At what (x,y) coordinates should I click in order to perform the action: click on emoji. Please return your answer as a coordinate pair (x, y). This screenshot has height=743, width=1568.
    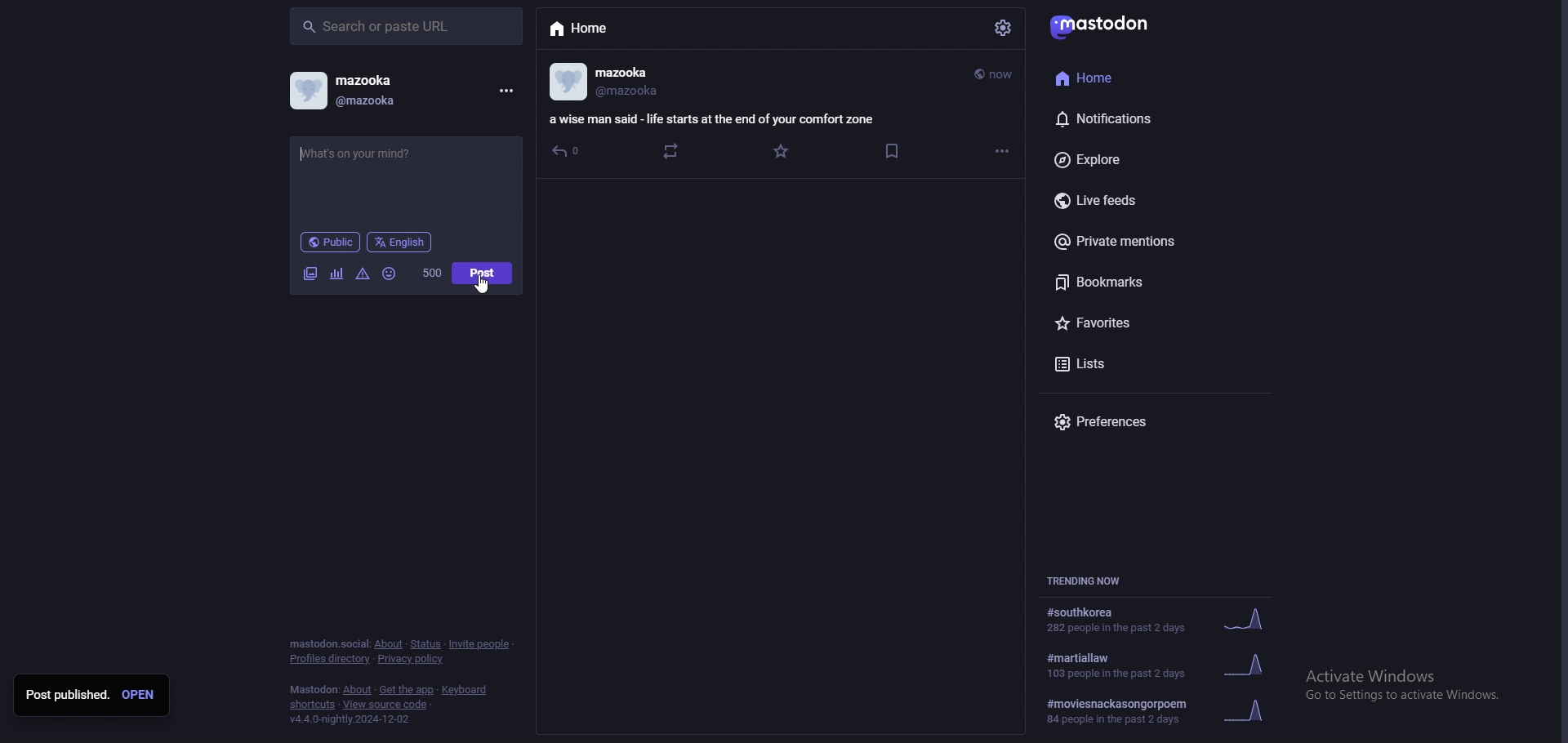
    Looking at the image, I should click on (388, 274).